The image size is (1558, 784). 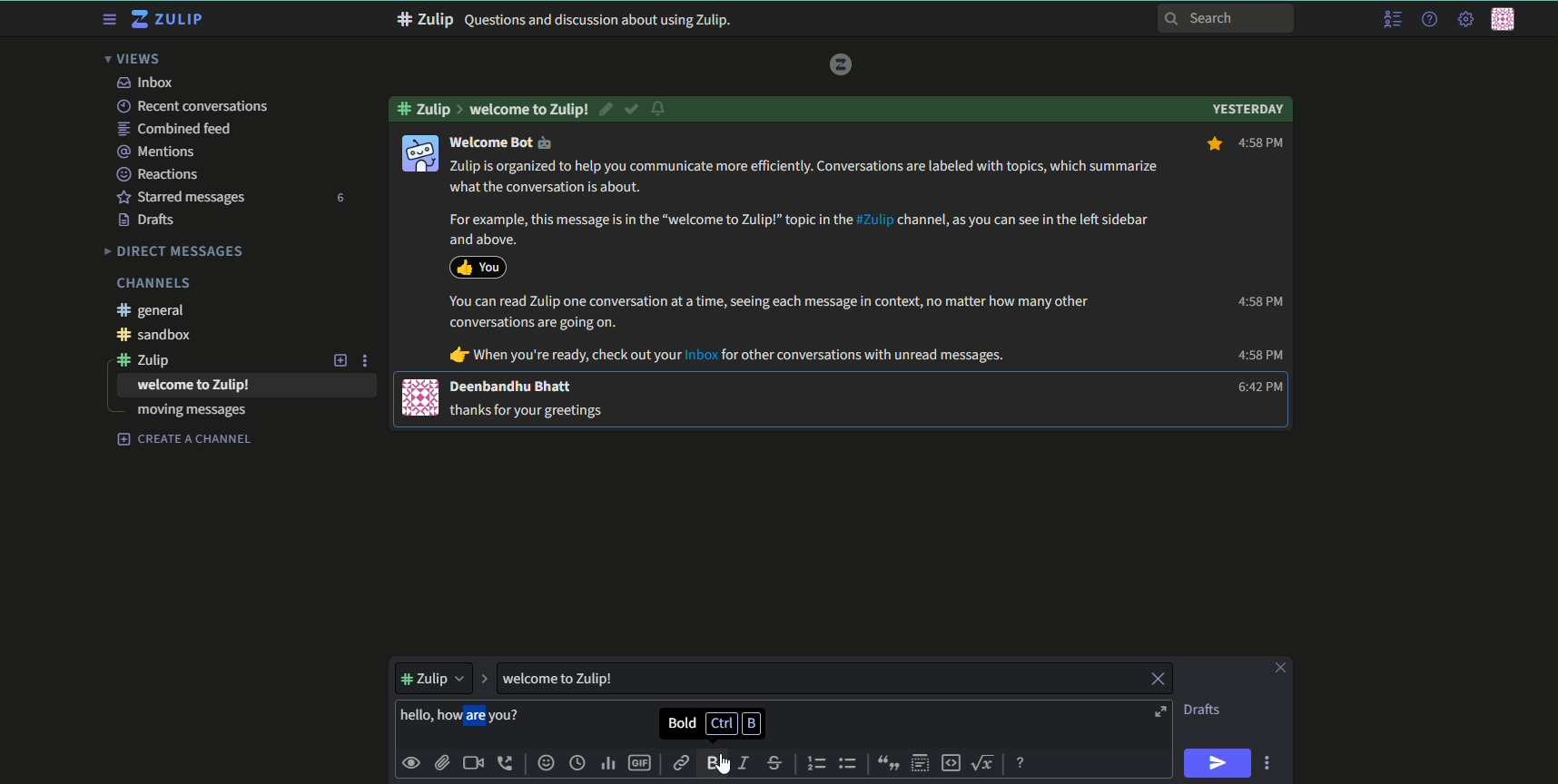 I want to click on personal menu, so click(x=1506, y=21).